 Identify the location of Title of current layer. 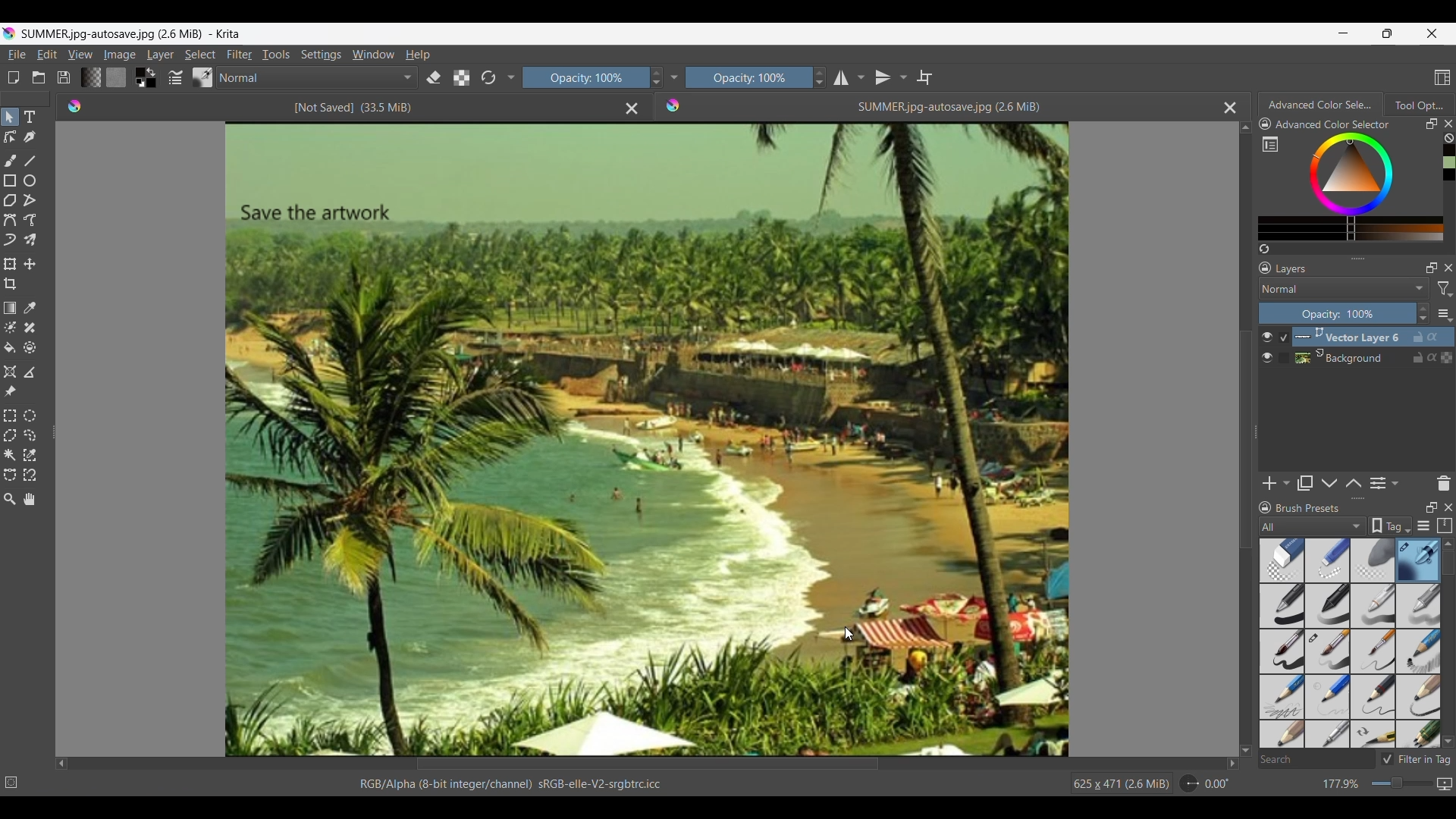
(1291, 268).